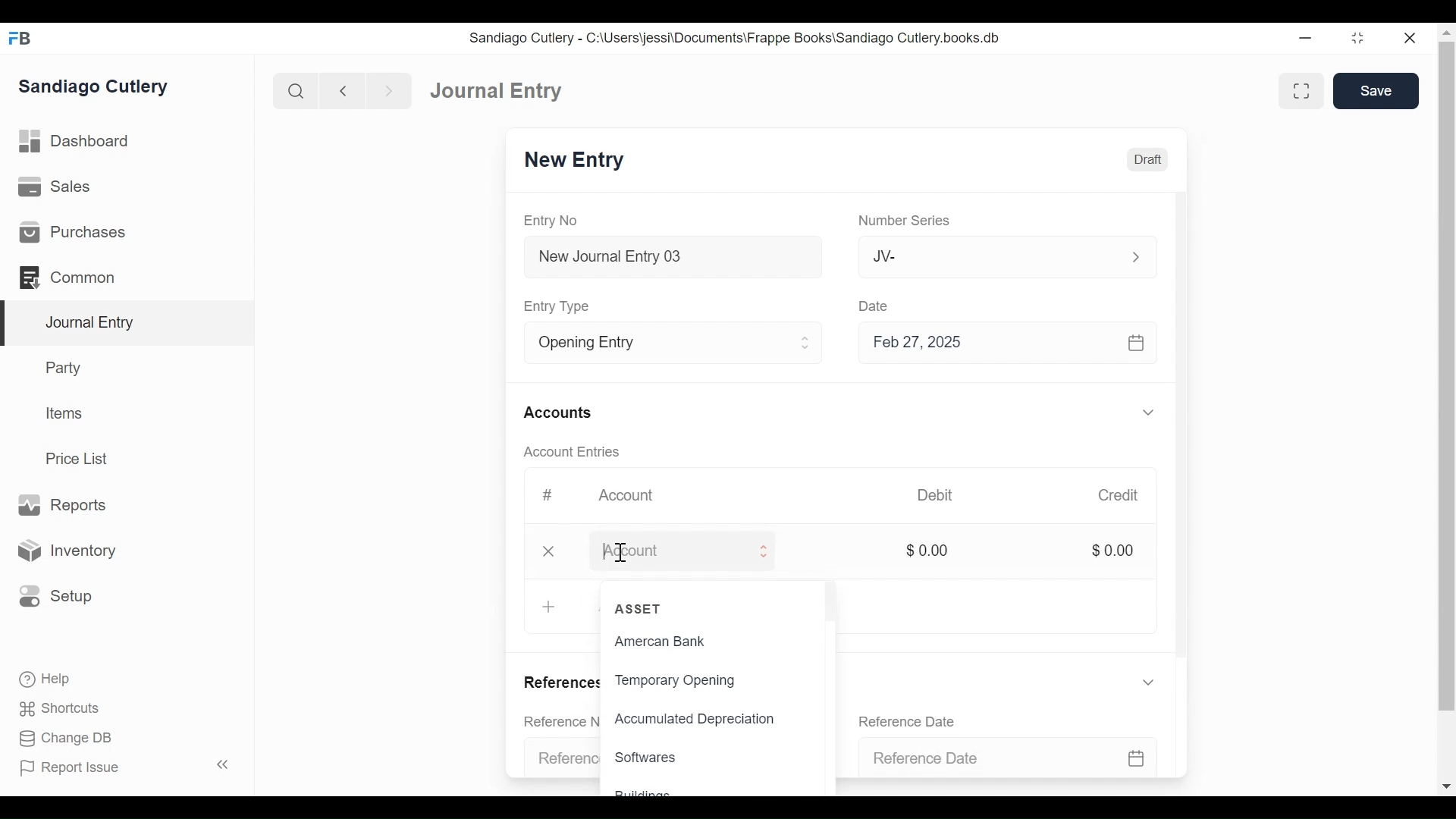 The image size is (1456, 819). What do you see at coordinates (1375, 93) in the screenshot?
I see `Save` at bounding box center [1375, 93].